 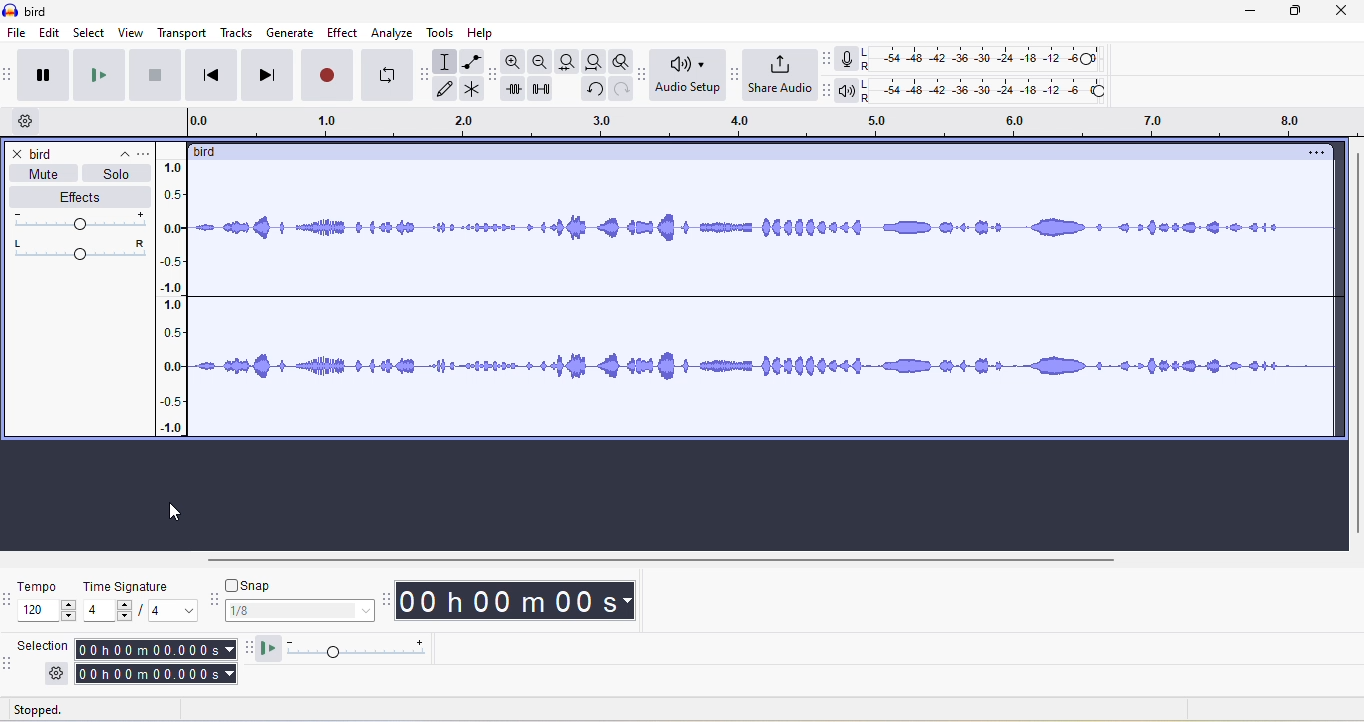 What do you see at coordinates (267, 649) in the screenshot?
I see `play at speed` at bounding box center [267, 649].